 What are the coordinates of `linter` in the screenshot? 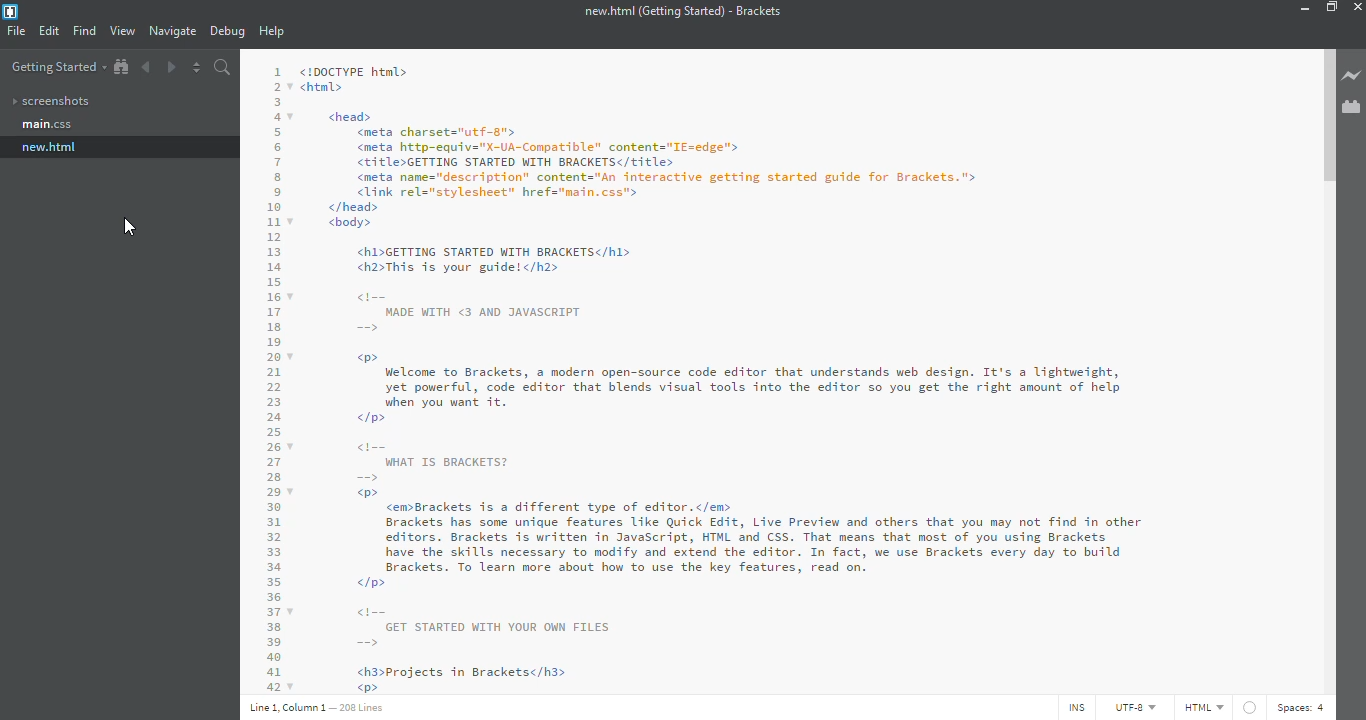 It's located at (1249, 707).